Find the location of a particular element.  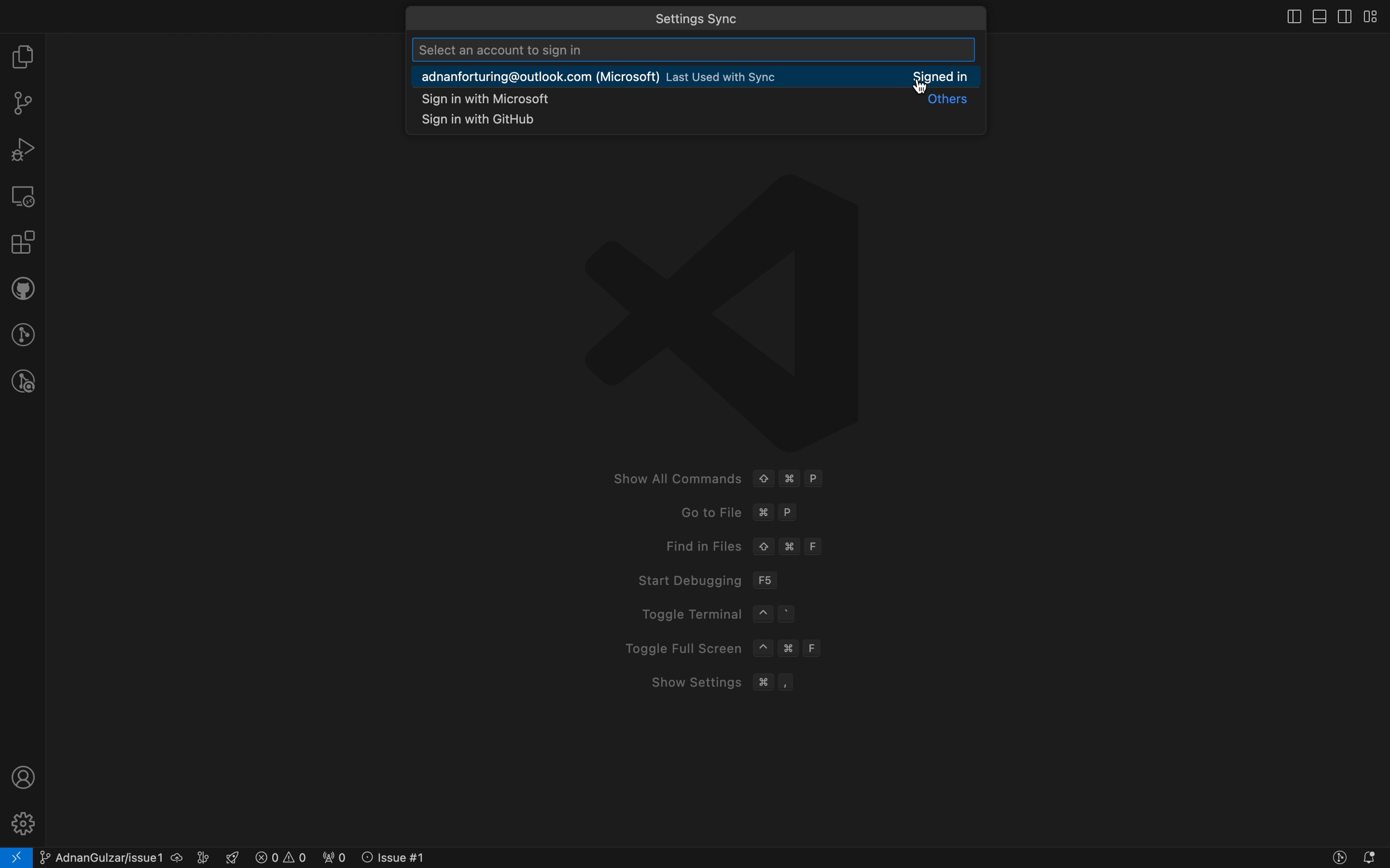

debugger is located at coordinates (23, 149).